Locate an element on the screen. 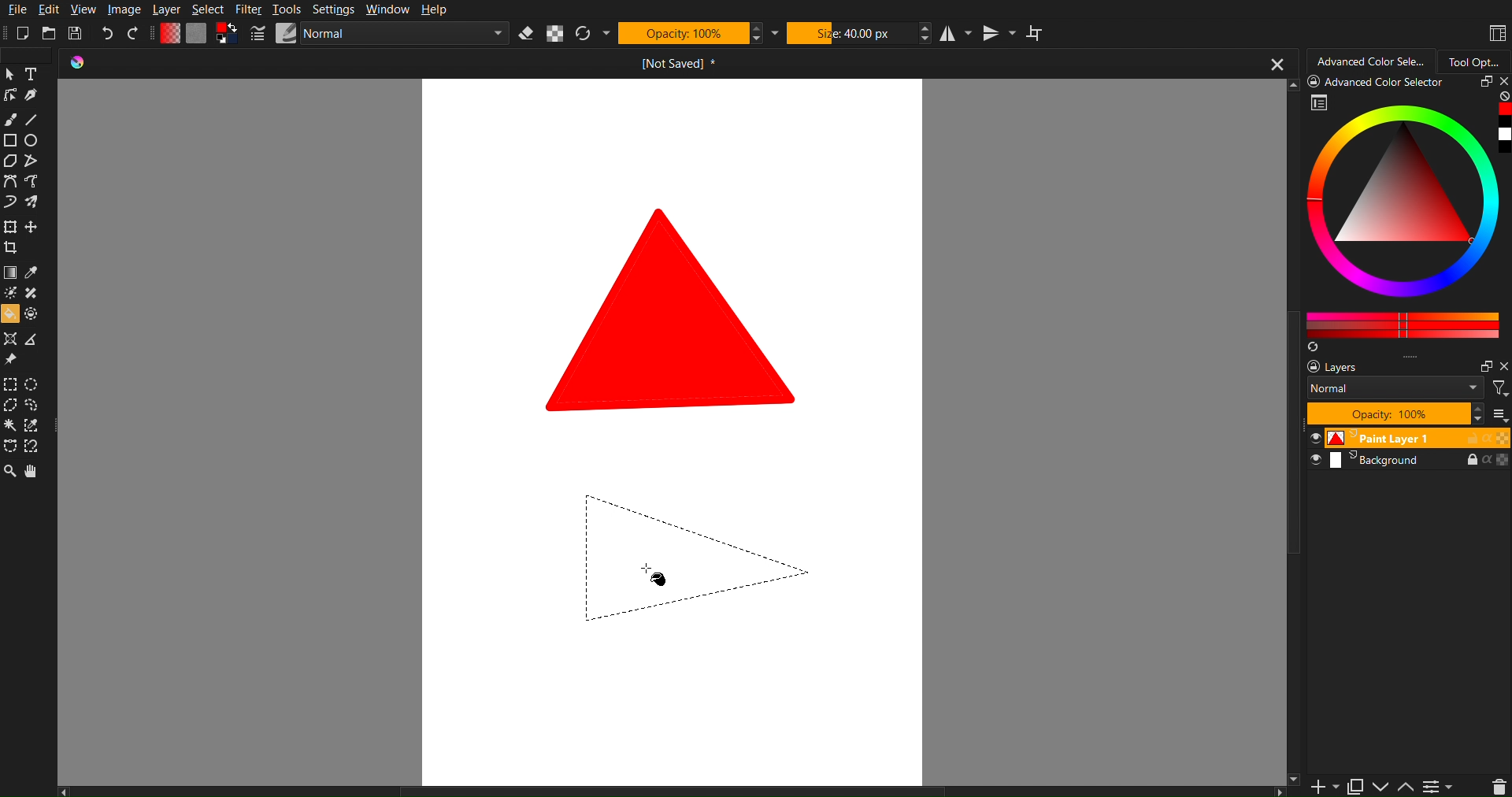 The height and width of the screenshot is (797, 1512). Tool Options is located at coordinates (1479, 60).